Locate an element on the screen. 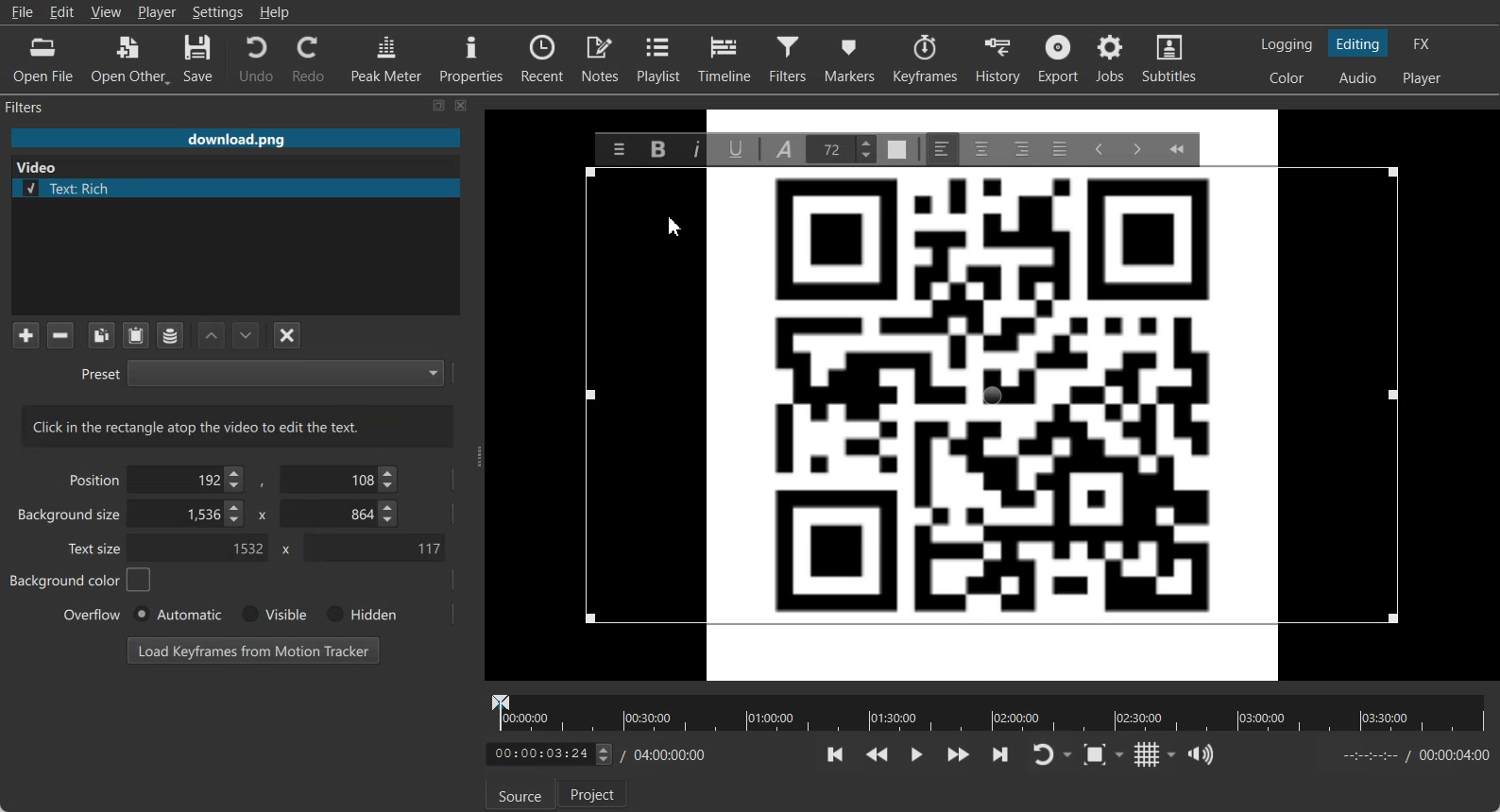  Copy checked filters is located at coordinates (101, 335).